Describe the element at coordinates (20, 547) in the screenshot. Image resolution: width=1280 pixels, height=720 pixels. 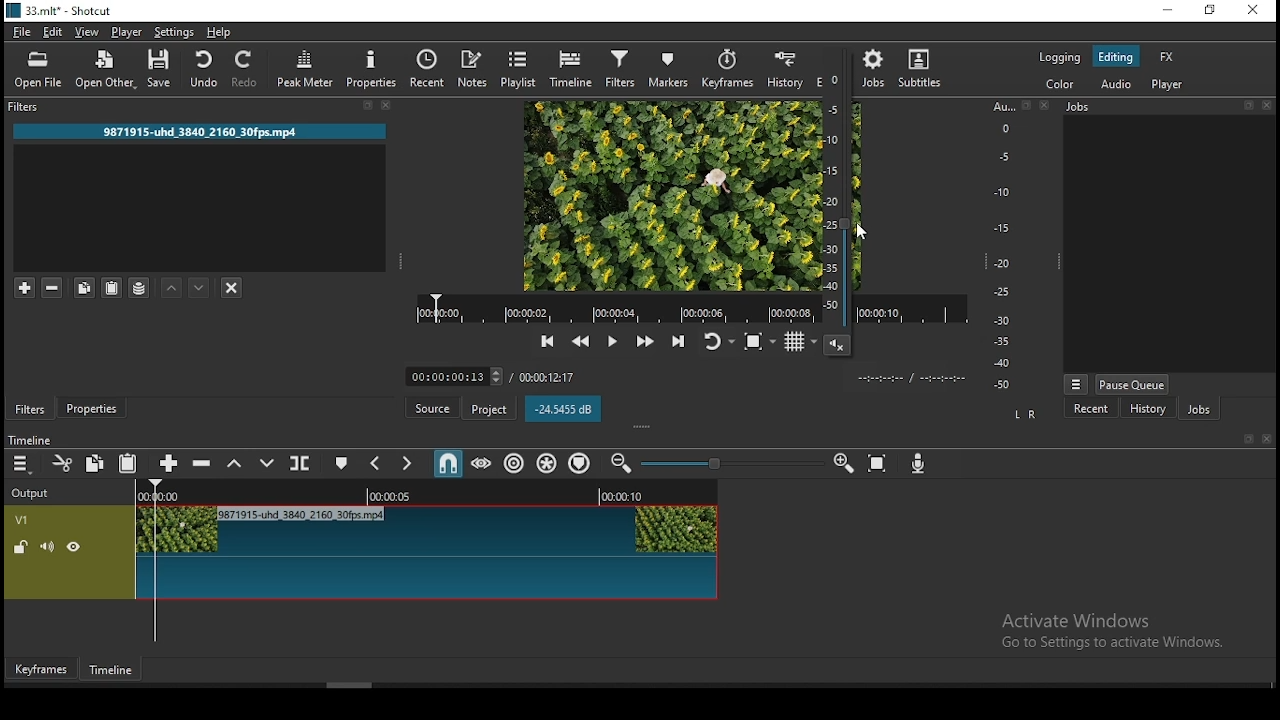
I see `unlocked` at that location.